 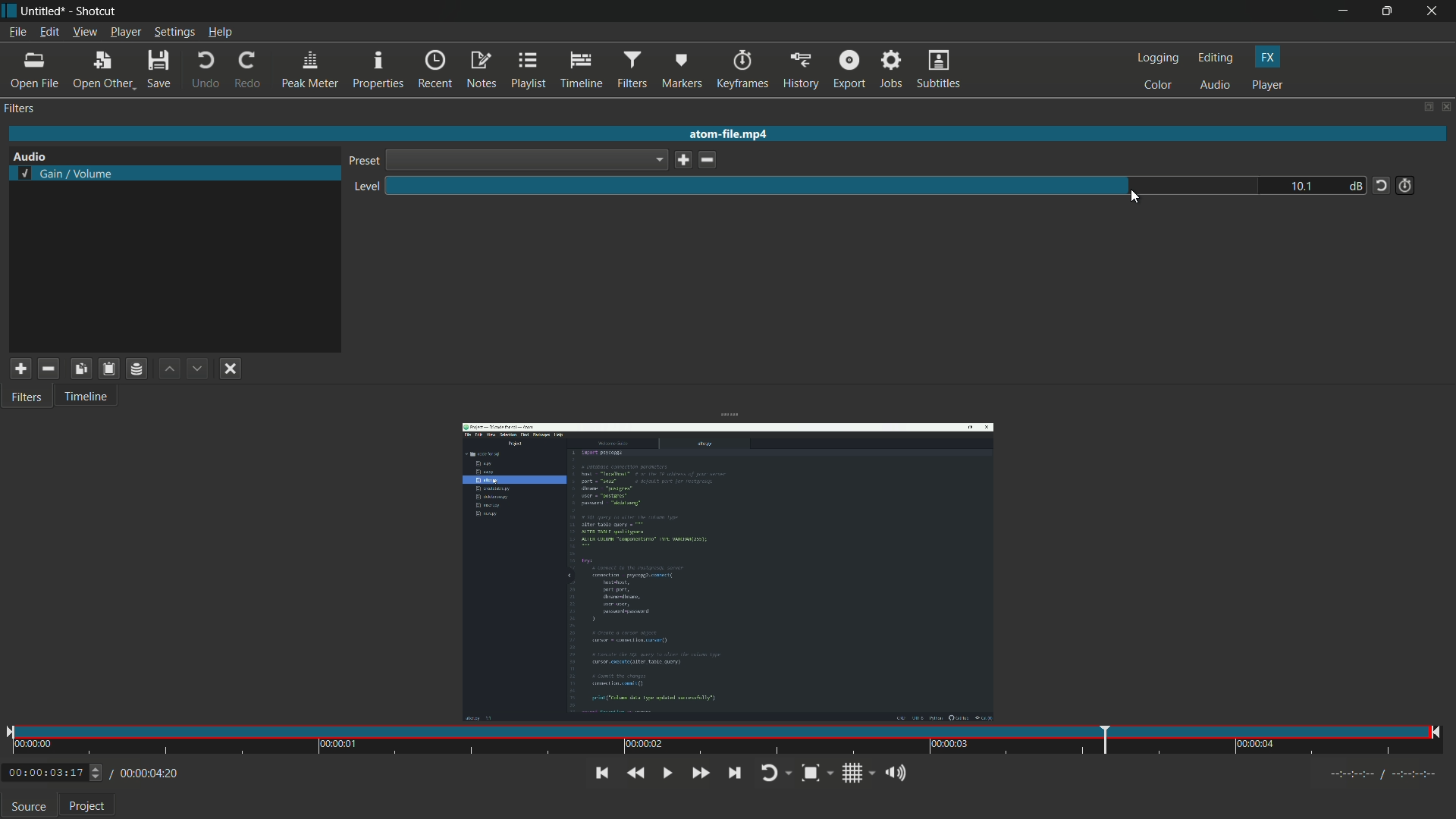 I want to click on minimize, so click(x=1341, y=11).